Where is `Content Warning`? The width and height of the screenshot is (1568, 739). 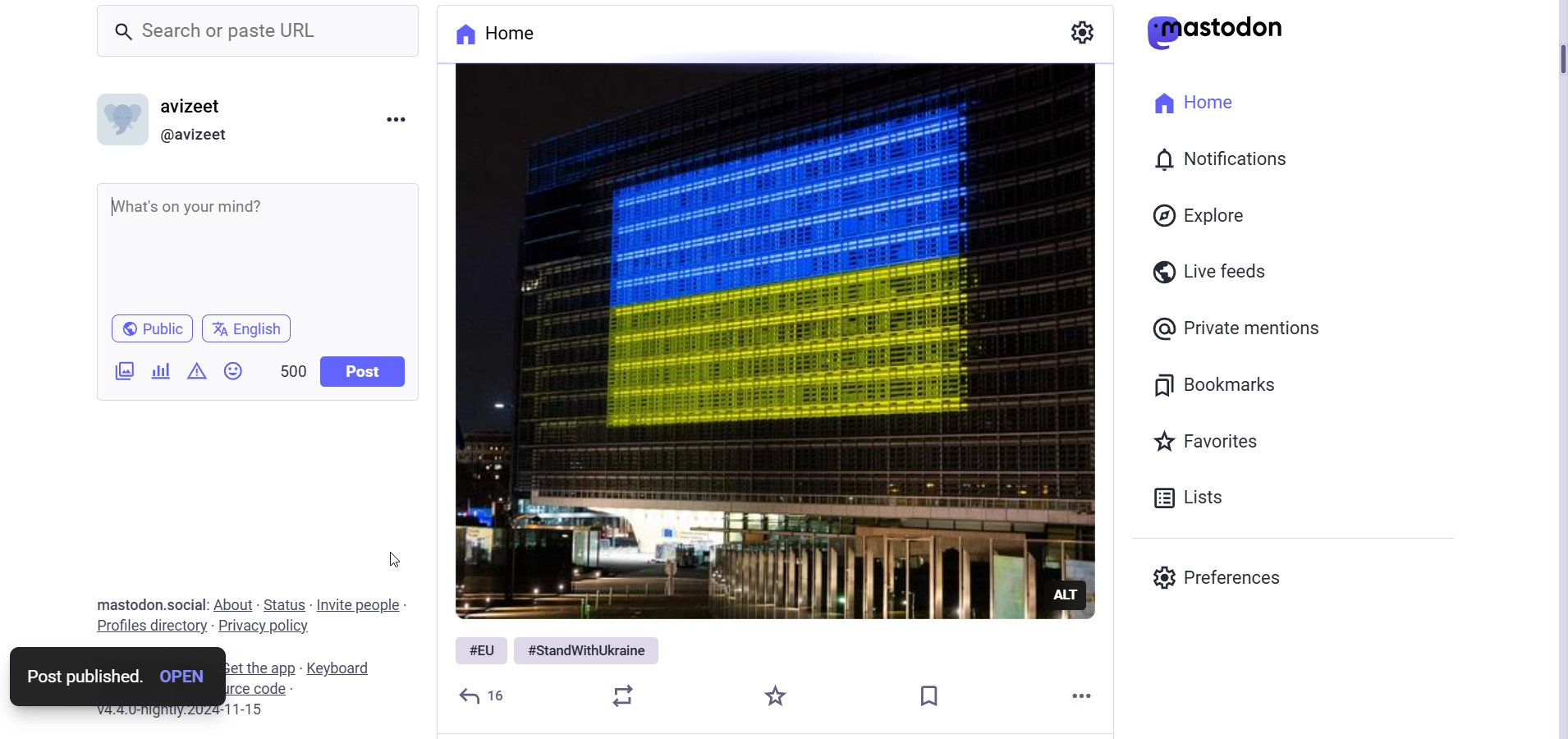
Content Warning is located at coordinates (199, 369).